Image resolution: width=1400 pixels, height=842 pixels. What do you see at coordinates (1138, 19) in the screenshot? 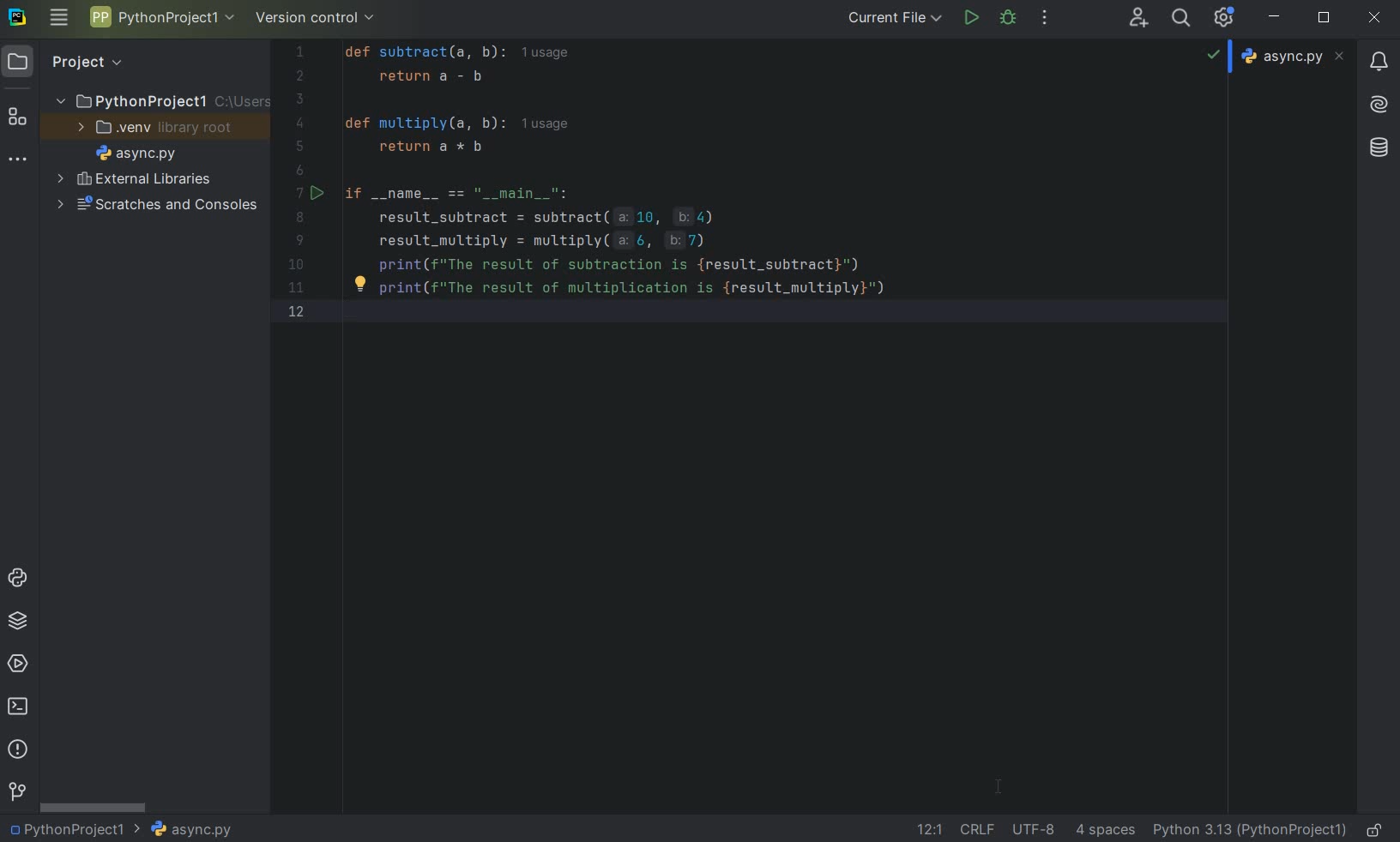
I see `code with me` at bounding box center [1138, 19].